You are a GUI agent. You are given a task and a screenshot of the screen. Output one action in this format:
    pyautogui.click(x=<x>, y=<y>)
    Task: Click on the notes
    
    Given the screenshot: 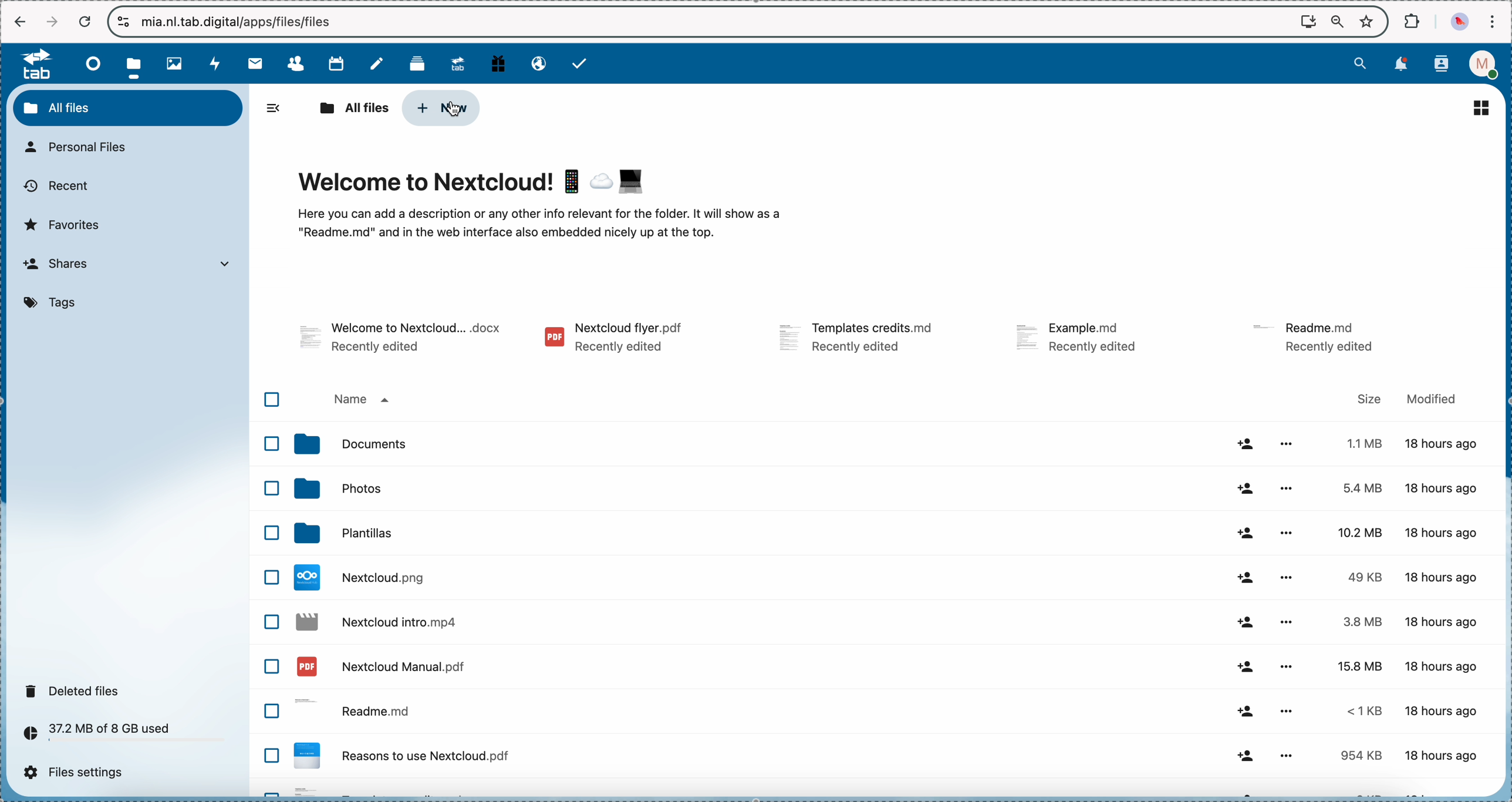 What is the action you would take?
    pyautogui.click(x=379, y=64)
    